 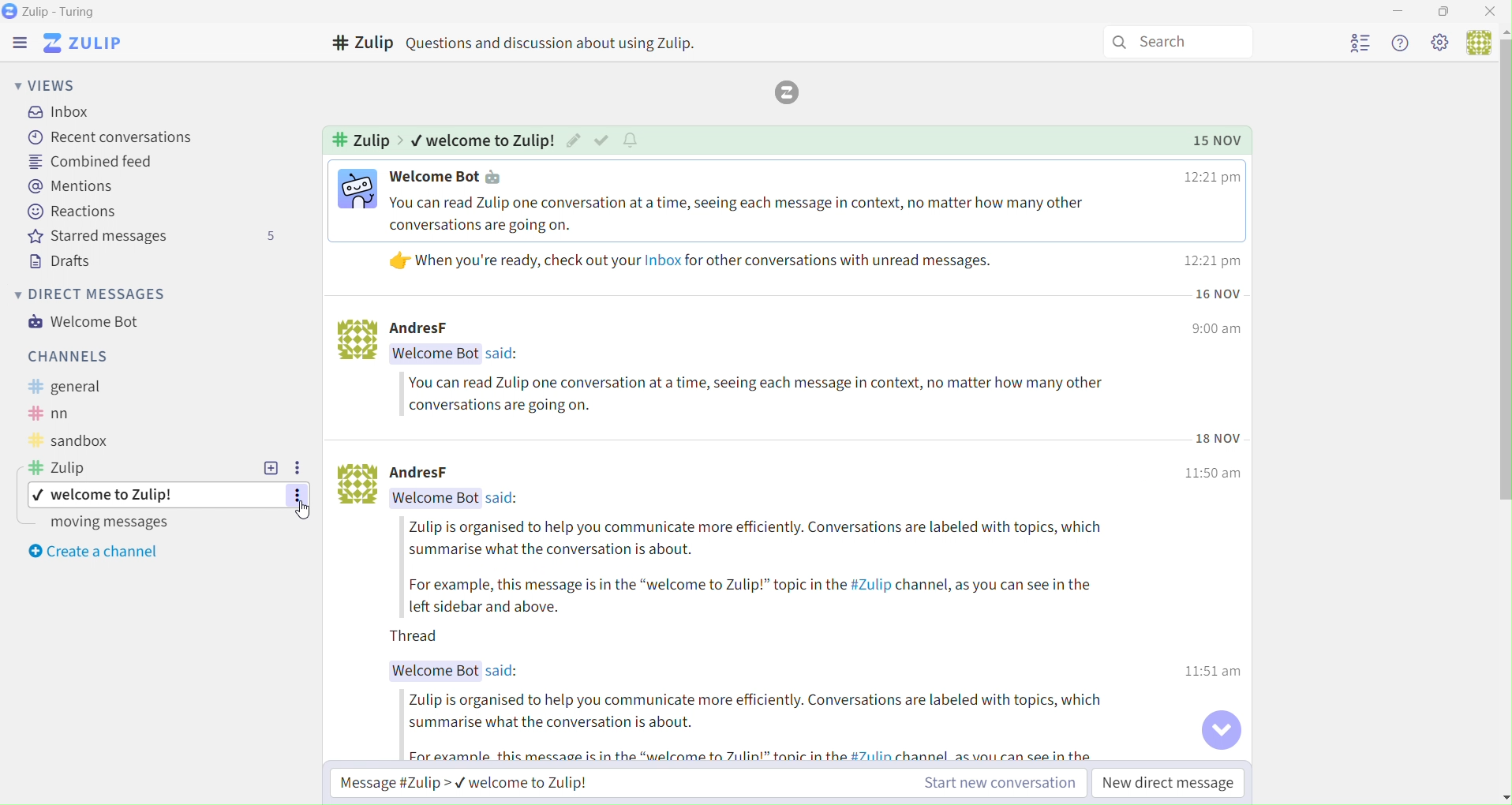 I want to click on Text, so click(x=505, y=354).